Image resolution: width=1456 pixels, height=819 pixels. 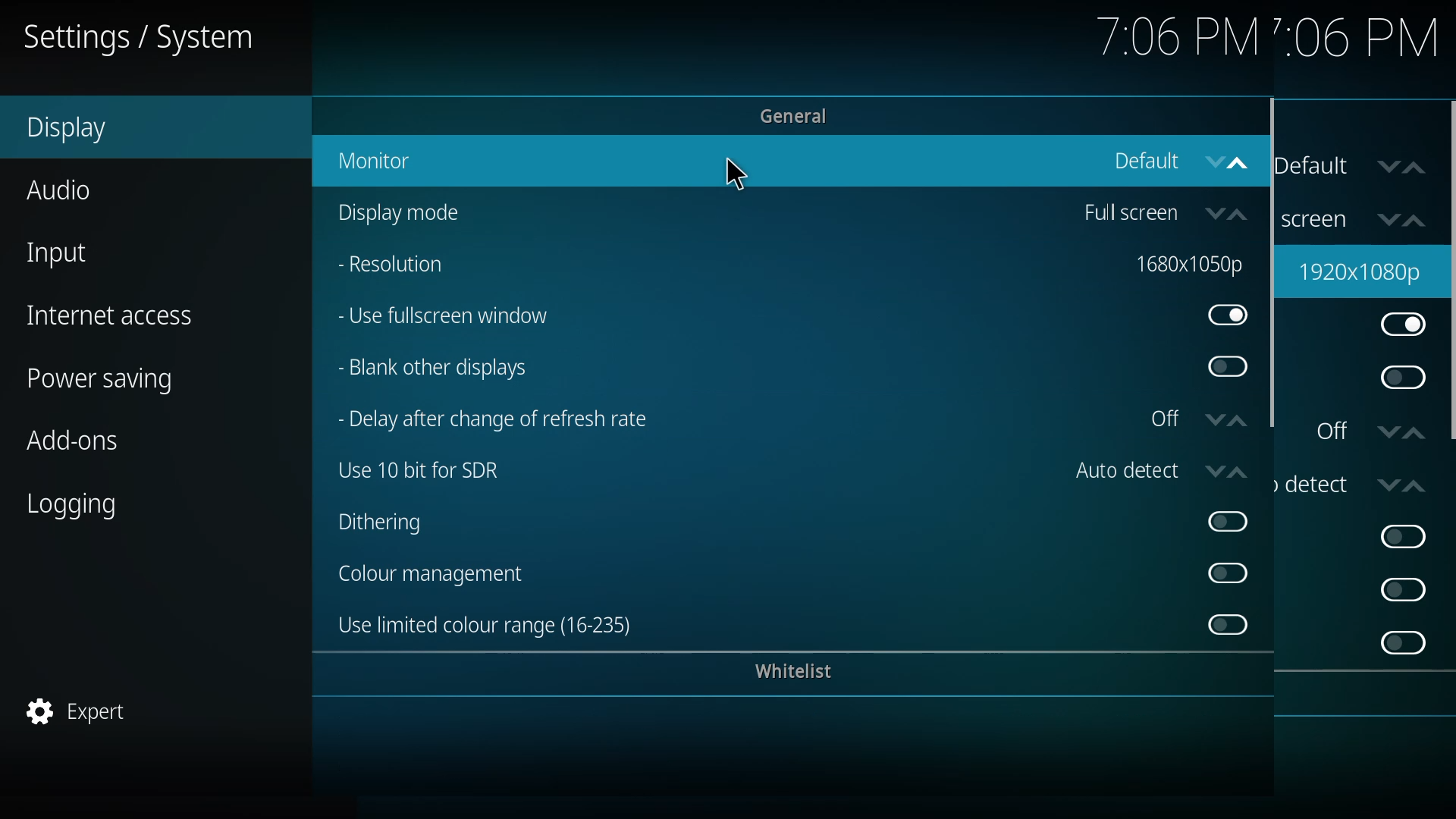 I want to click on enable, so click(x=1400, y=378).